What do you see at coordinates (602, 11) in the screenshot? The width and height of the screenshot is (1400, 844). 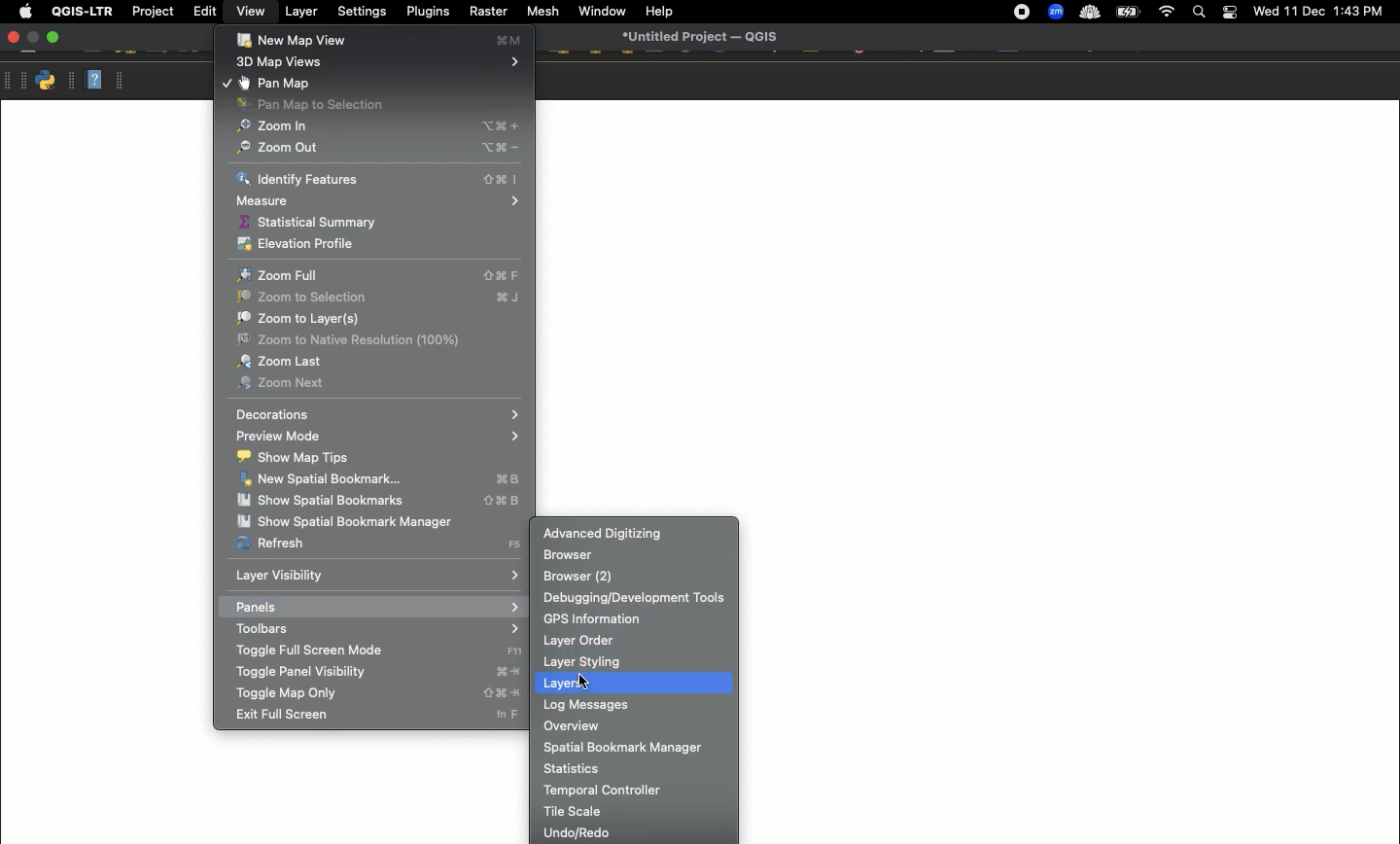 I see `Window` at bounding box center [602, 11].